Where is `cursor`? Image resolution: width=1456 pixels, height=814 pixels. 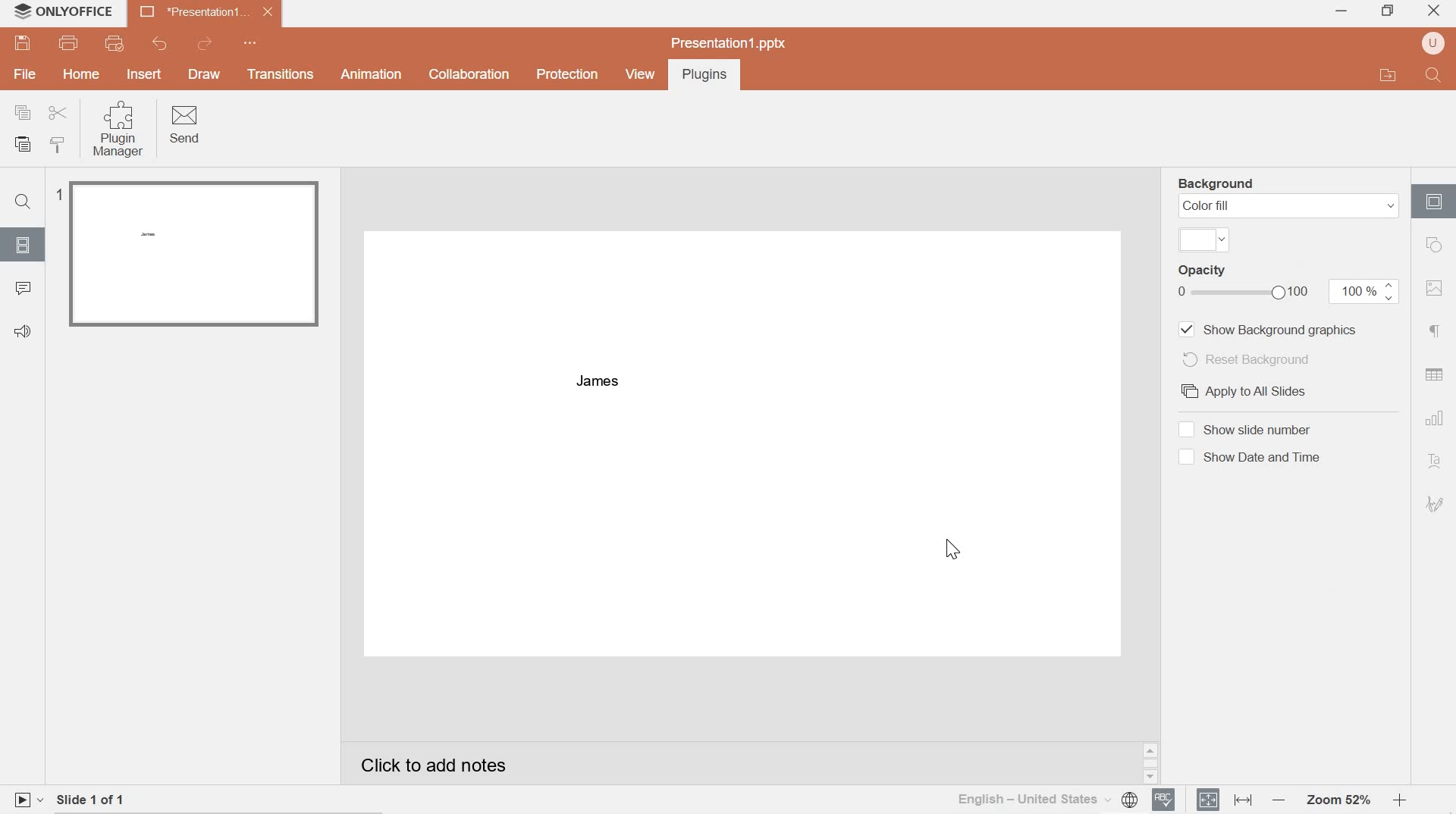
cursor is located at coordinates (954, 552).